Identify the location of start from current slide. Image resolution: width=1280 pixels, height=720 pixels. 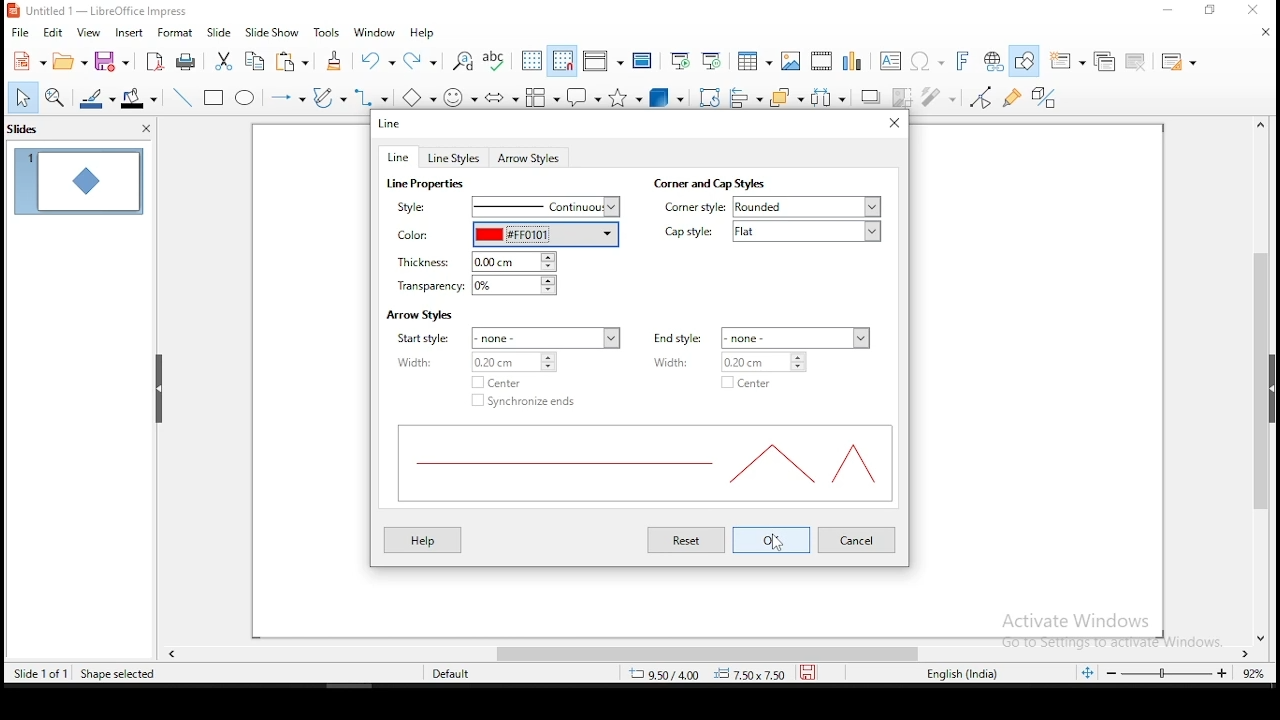
(708, 61).